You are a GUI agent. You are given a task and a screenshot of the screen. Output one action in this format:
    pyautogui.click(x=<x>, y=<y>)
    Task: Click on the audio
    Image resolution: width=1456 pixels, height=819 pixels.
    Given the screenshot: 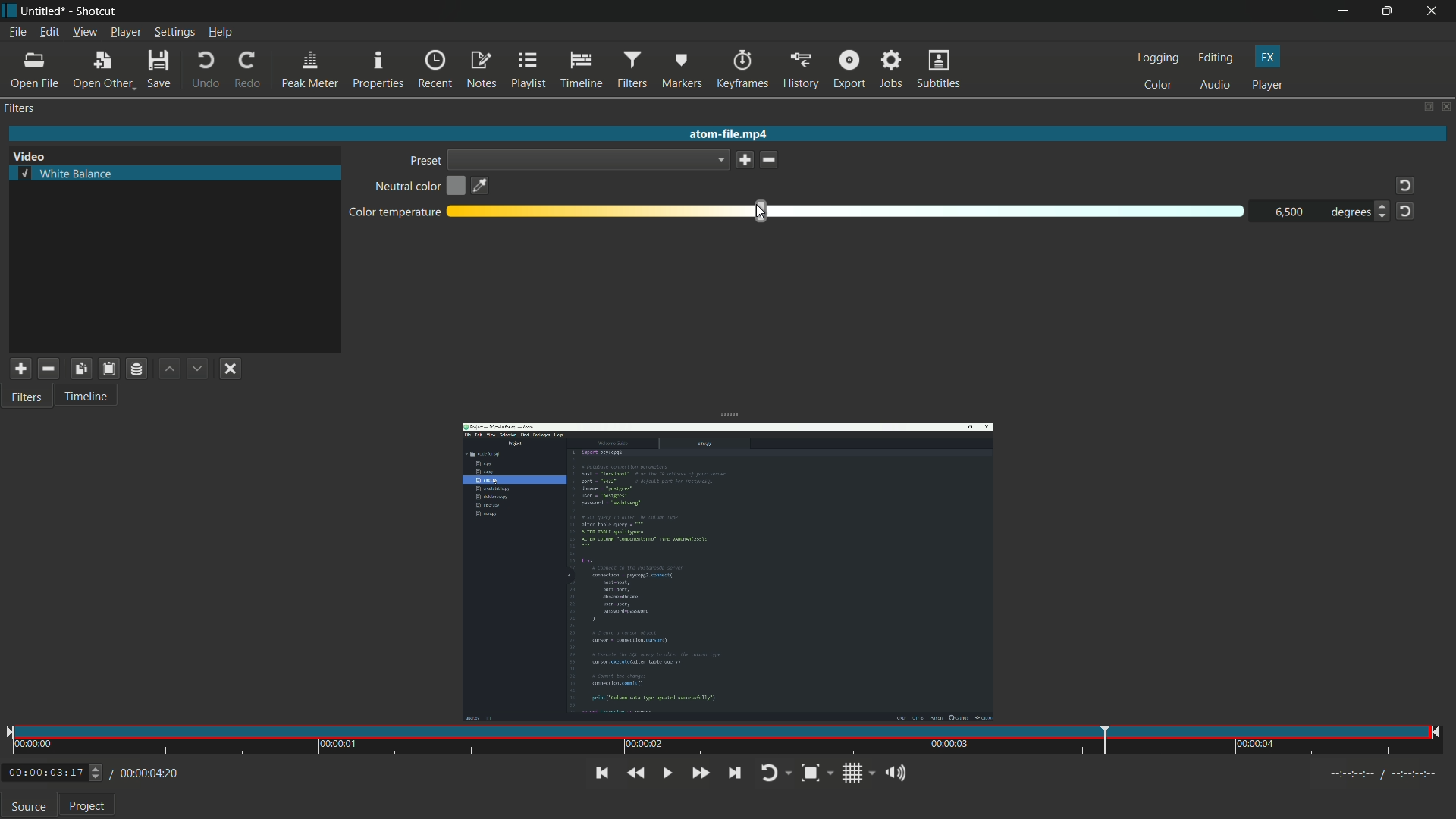 What is the action you would take?
    pyautogui.click(x=1214, y=86)
    